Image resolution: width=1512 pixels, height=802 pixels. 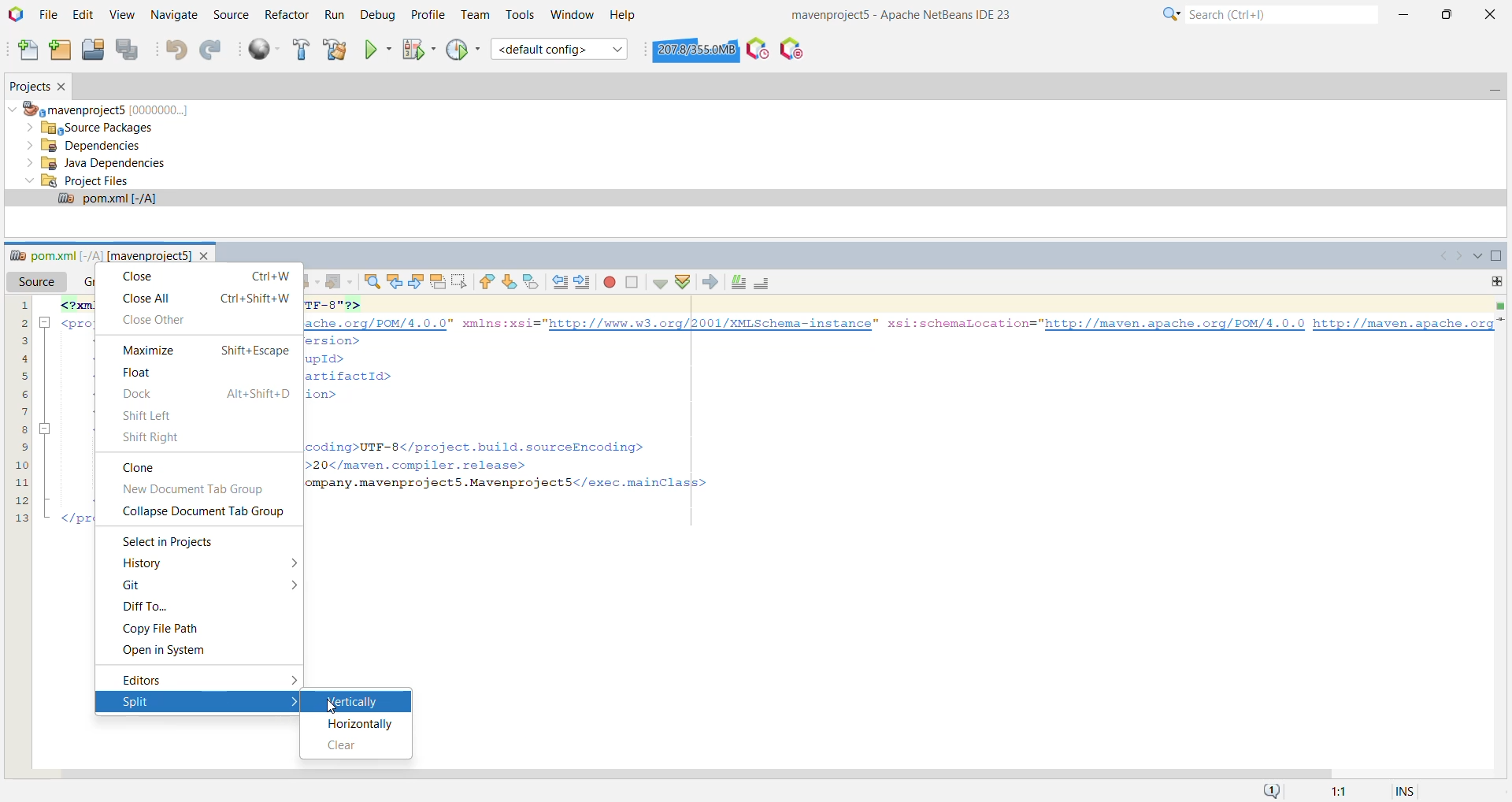 What do you see at coordinates (293, 586) in the screenshot?
I see `More options` at bounding box center [293, 586].